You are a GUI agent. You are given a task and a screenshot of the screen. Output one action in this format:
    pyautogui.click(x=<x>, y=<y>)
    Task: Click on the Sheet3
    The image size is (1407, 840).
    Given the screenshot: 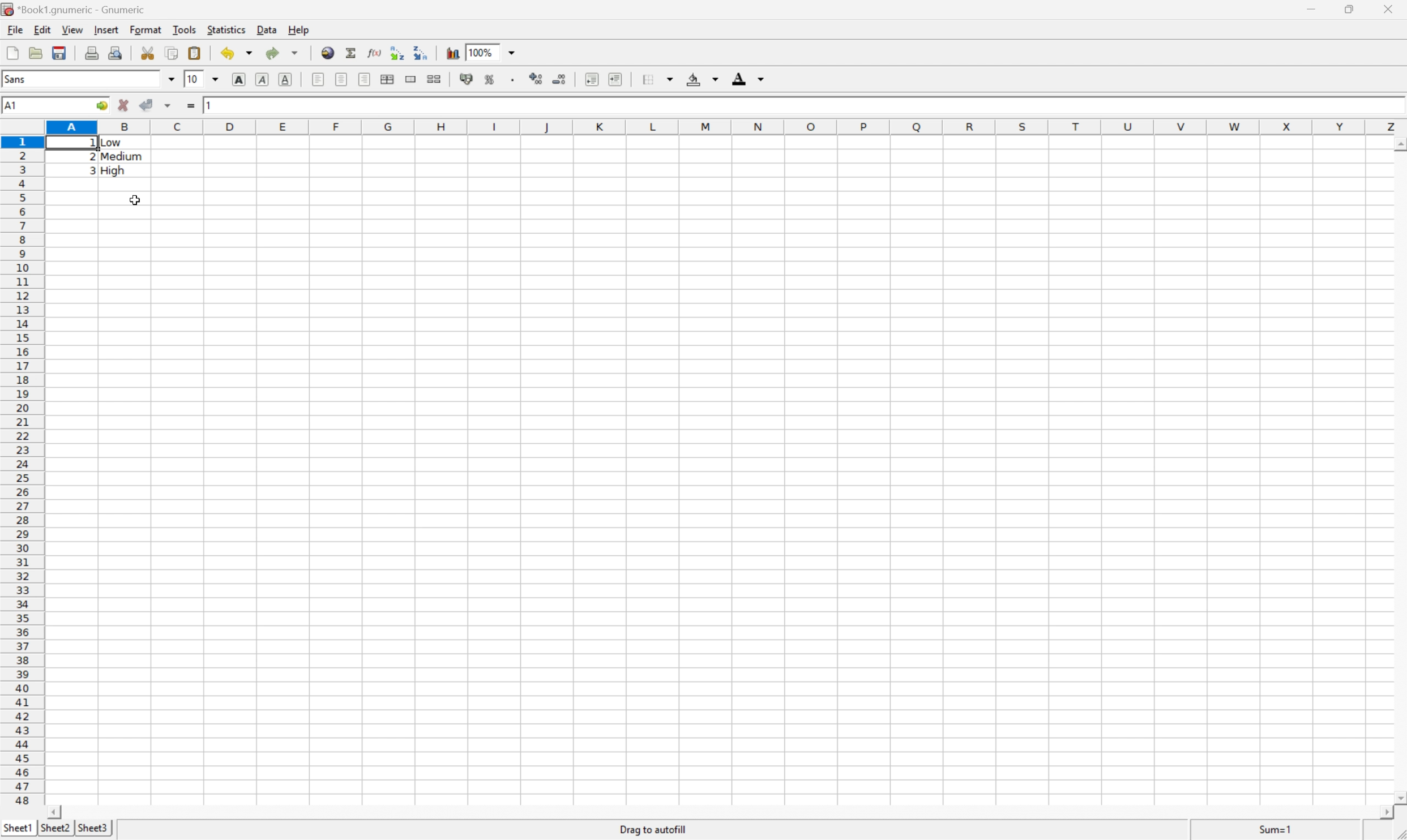 What is the action you would take?
    pyautogui.click(x=95, y=831)
    